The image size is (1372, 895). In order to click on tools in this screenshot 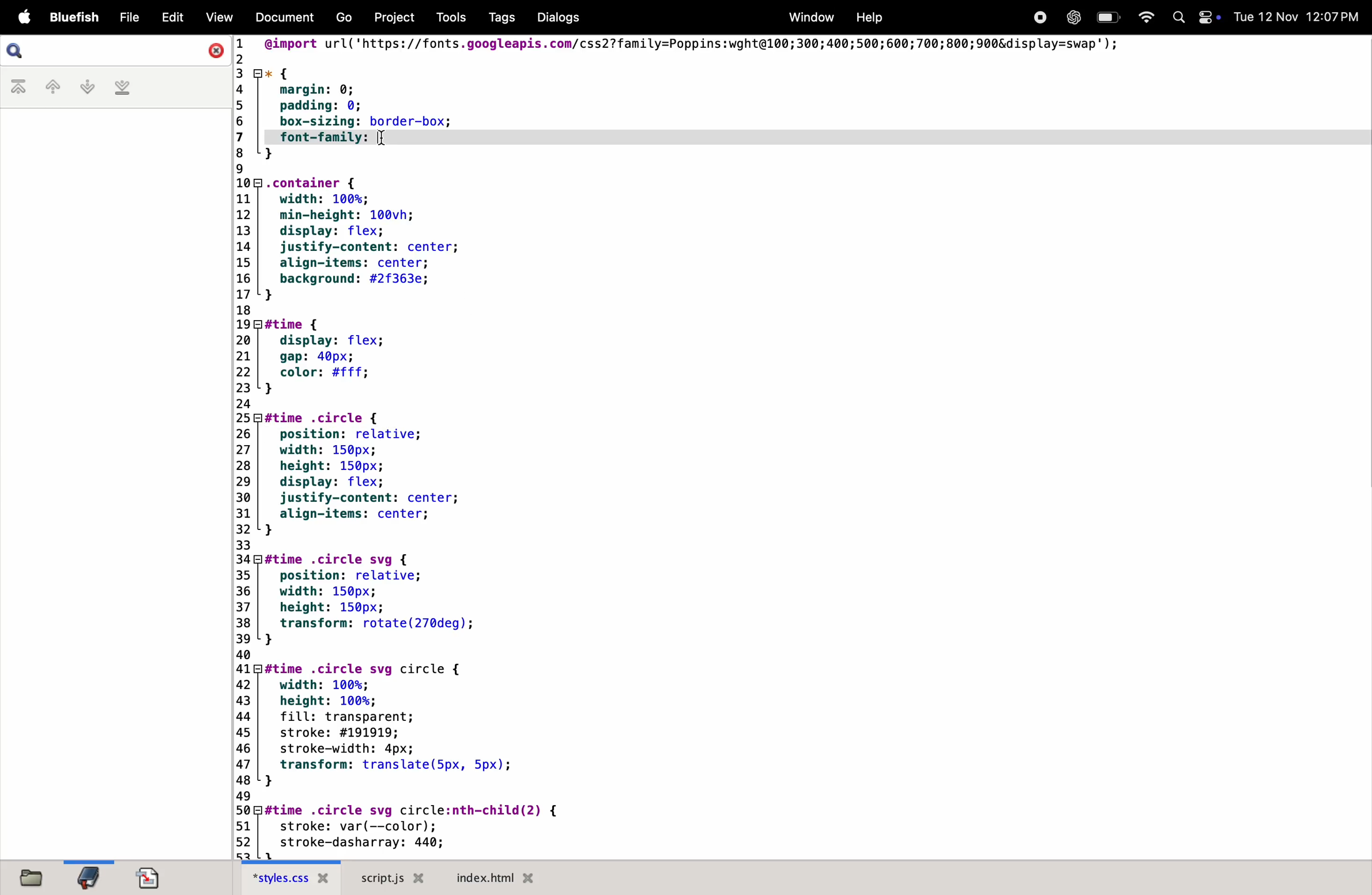, I will do `click(446, 17)`.